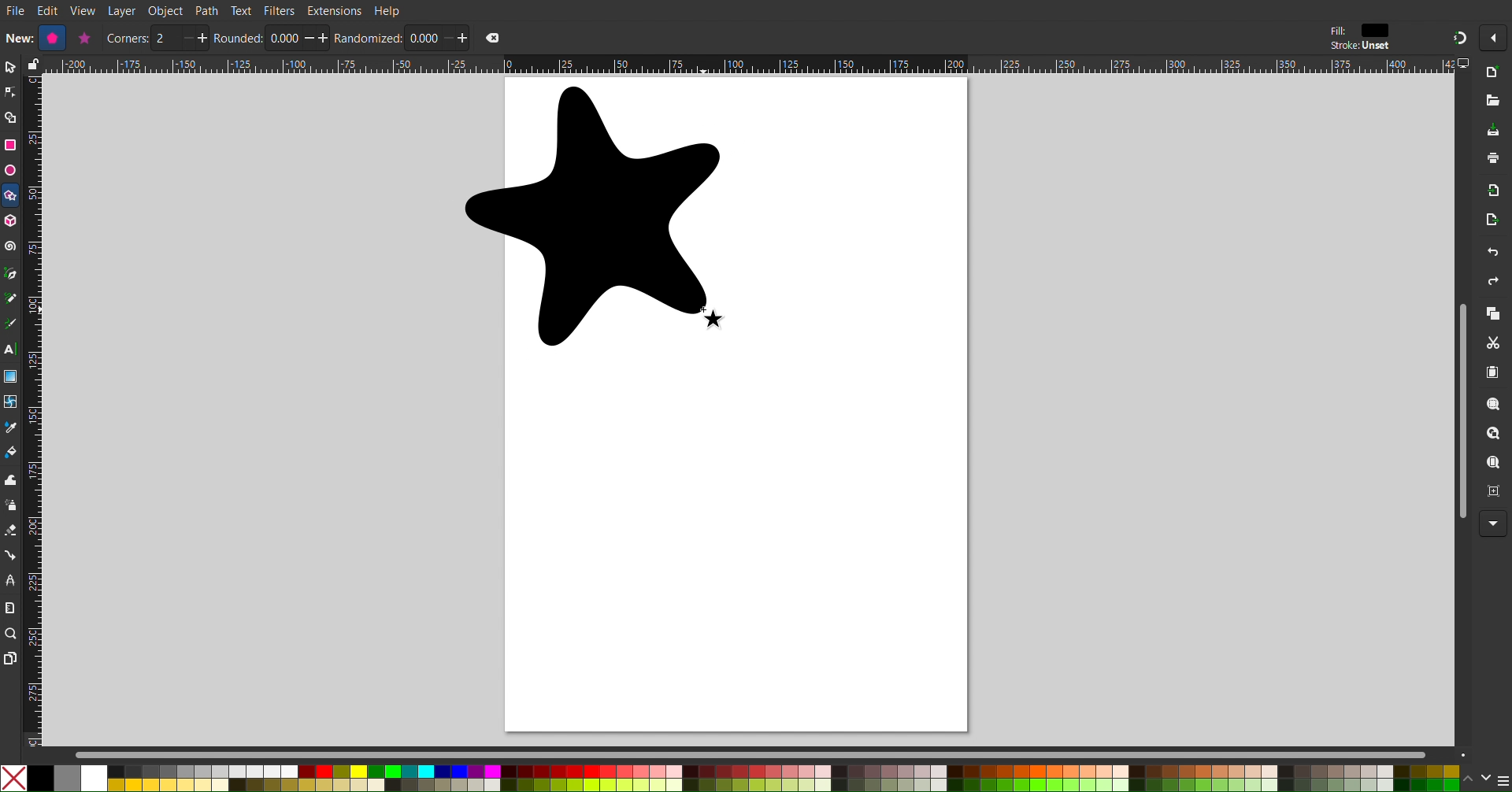  I want to click on Extensions, so click(334, 11).